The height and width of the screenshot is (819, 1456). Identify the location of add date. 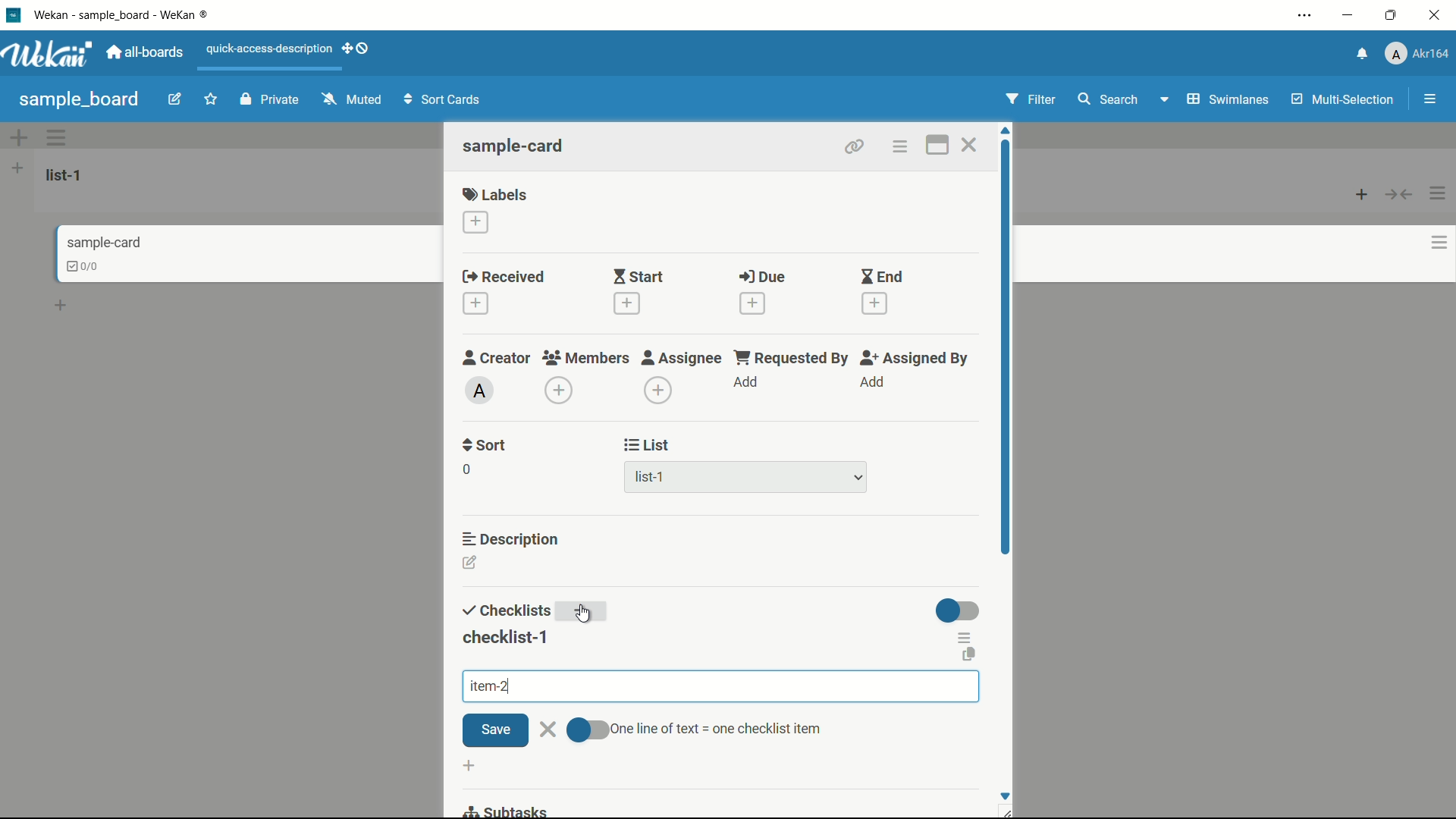
(625, 303).